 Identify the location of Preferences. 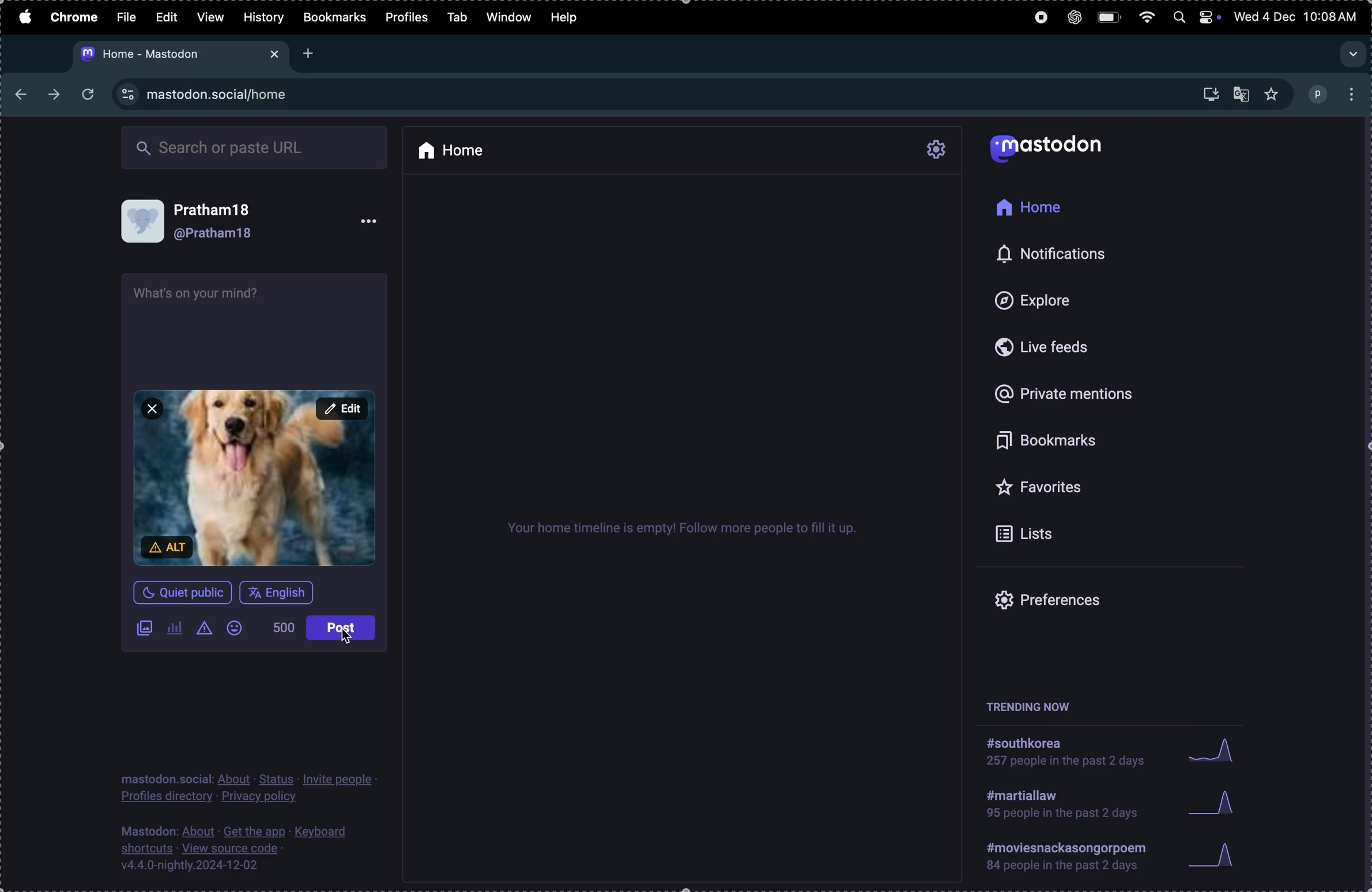
(1079, 604).